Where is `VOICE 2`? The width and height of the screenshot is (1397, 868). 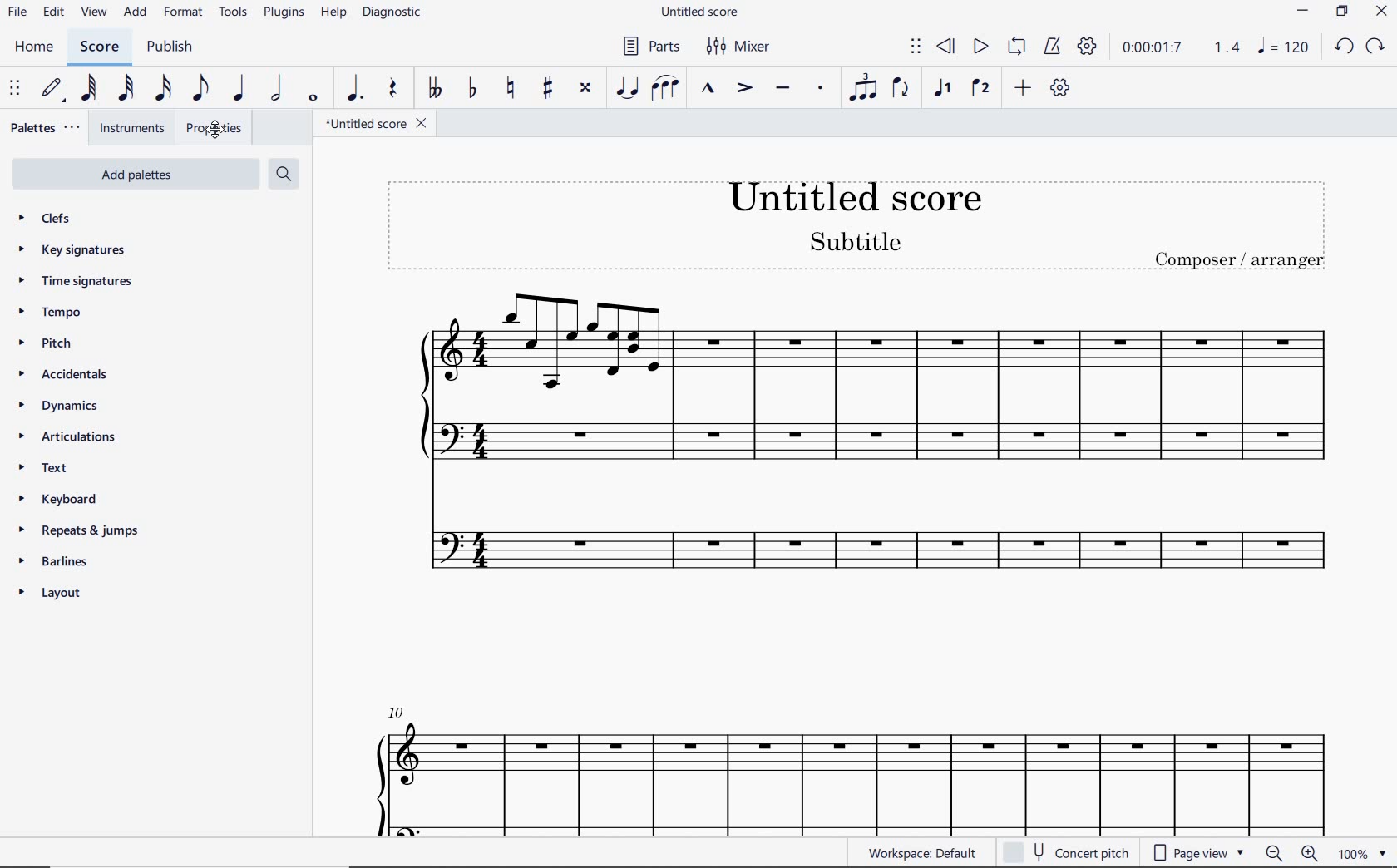 VOICE 2 is located at coordinates (980, 89).